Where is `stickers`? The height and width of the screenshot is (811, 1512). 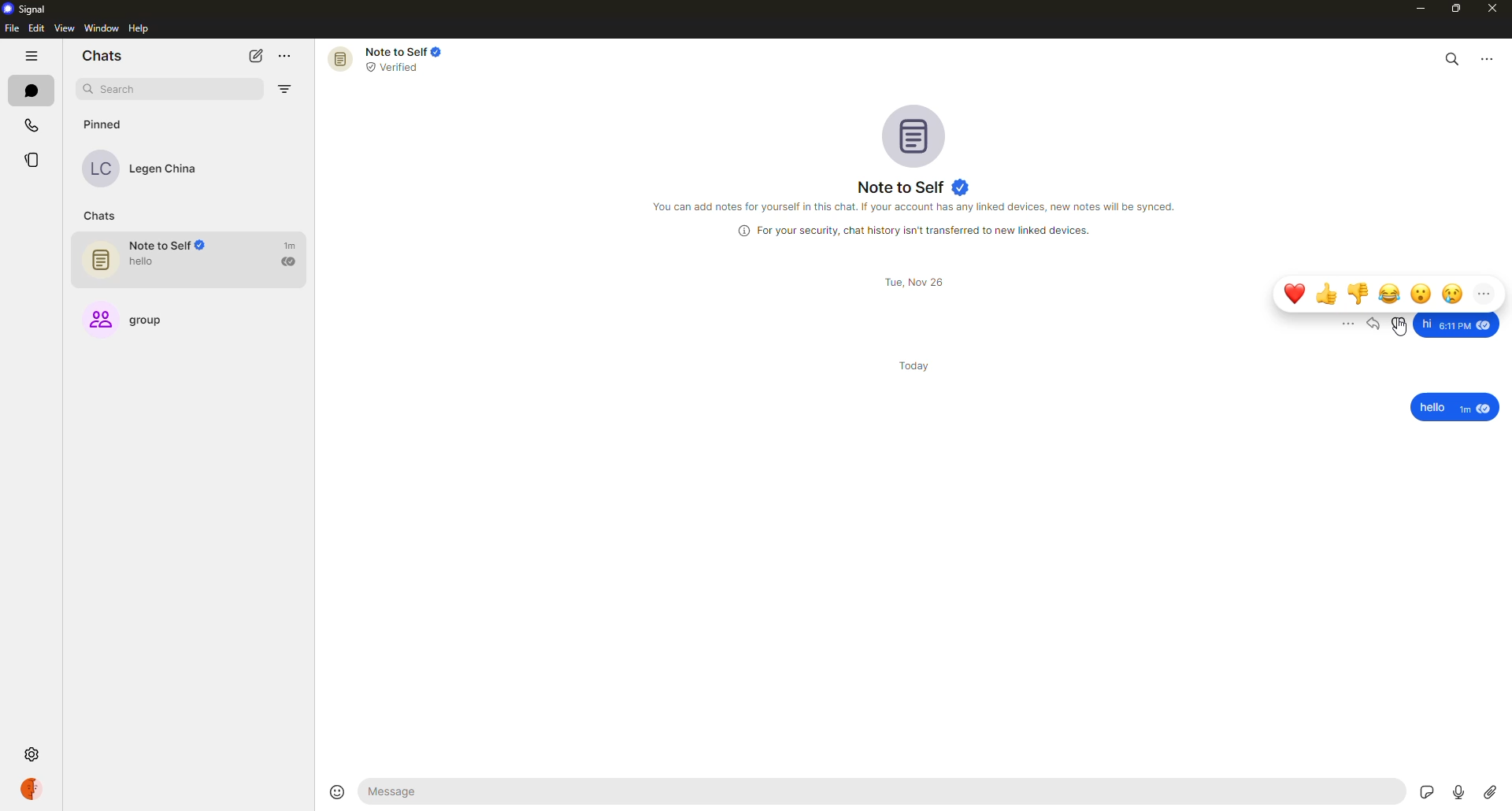 stickers is located at coordinates (1422, 791).